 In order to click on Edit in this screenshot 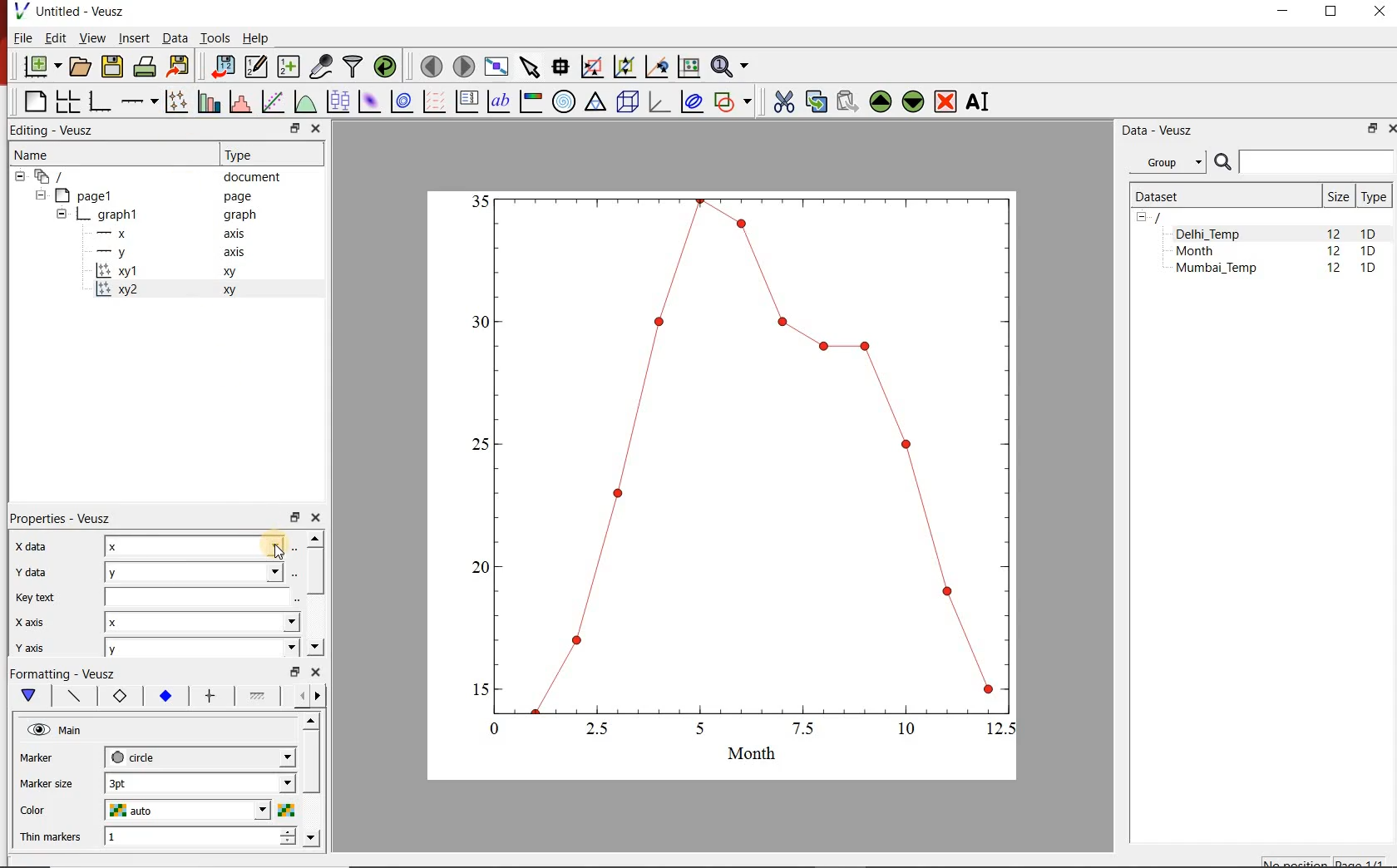, I will do `click(54, 37)`.